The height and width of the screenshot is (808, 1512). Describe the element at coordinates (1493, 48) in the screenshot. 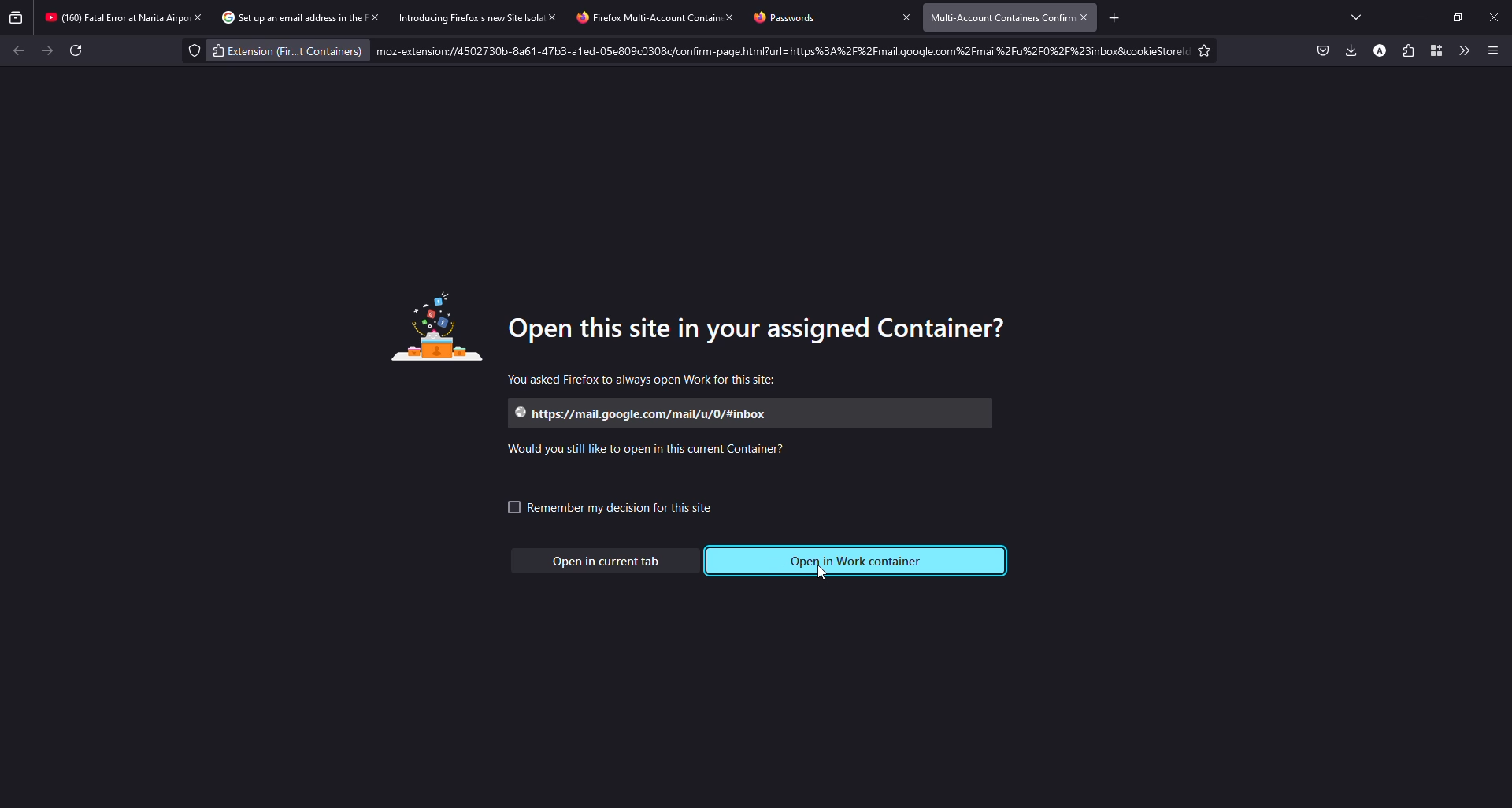

I see `more option` at that location.